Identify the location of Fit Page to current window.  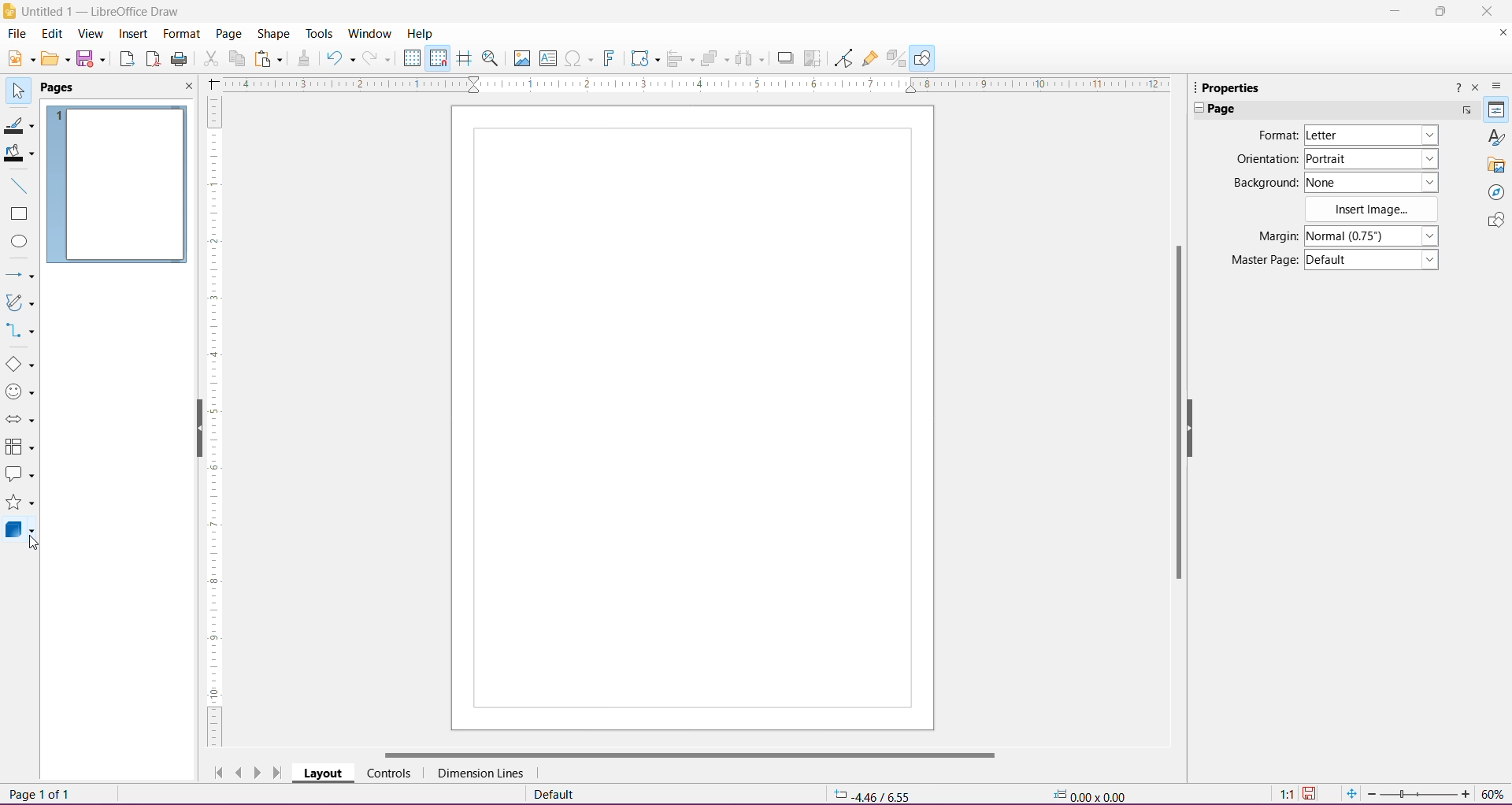
(1351, 794).